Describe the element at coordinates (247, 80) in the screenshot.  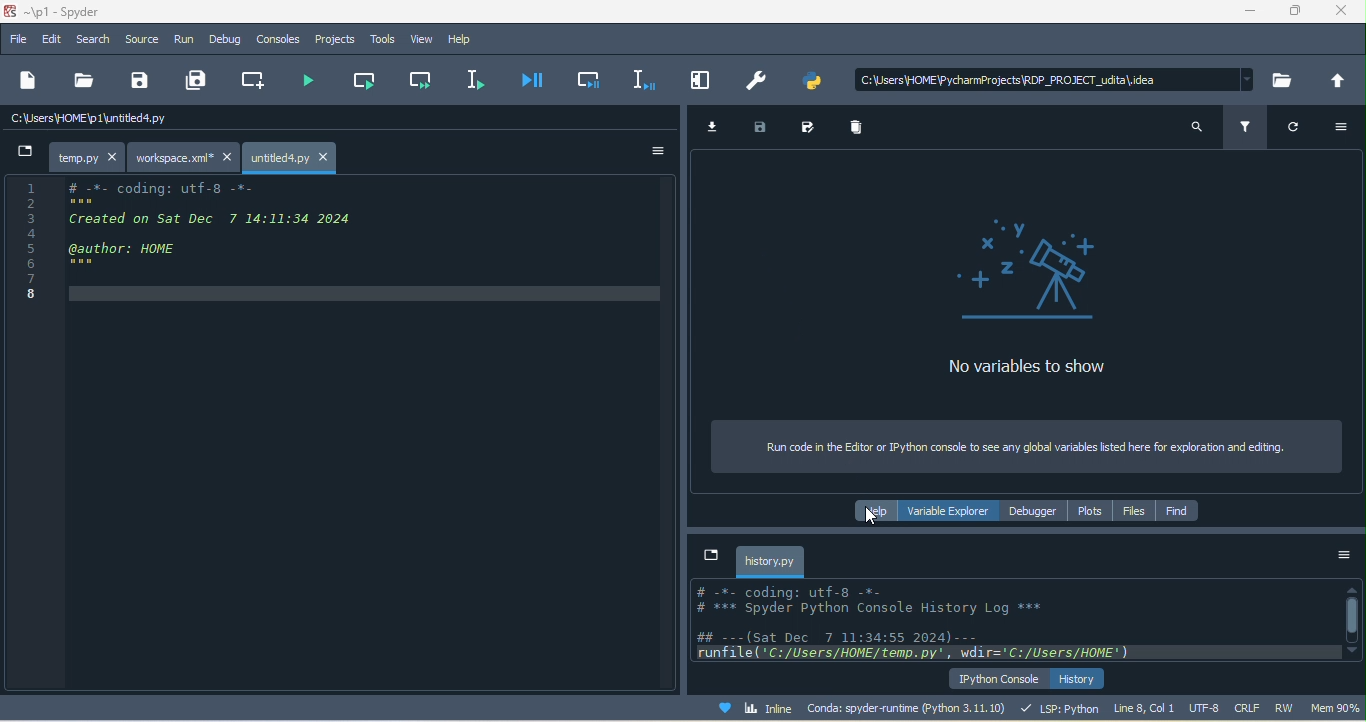
I see `cerate new cell` at that location.